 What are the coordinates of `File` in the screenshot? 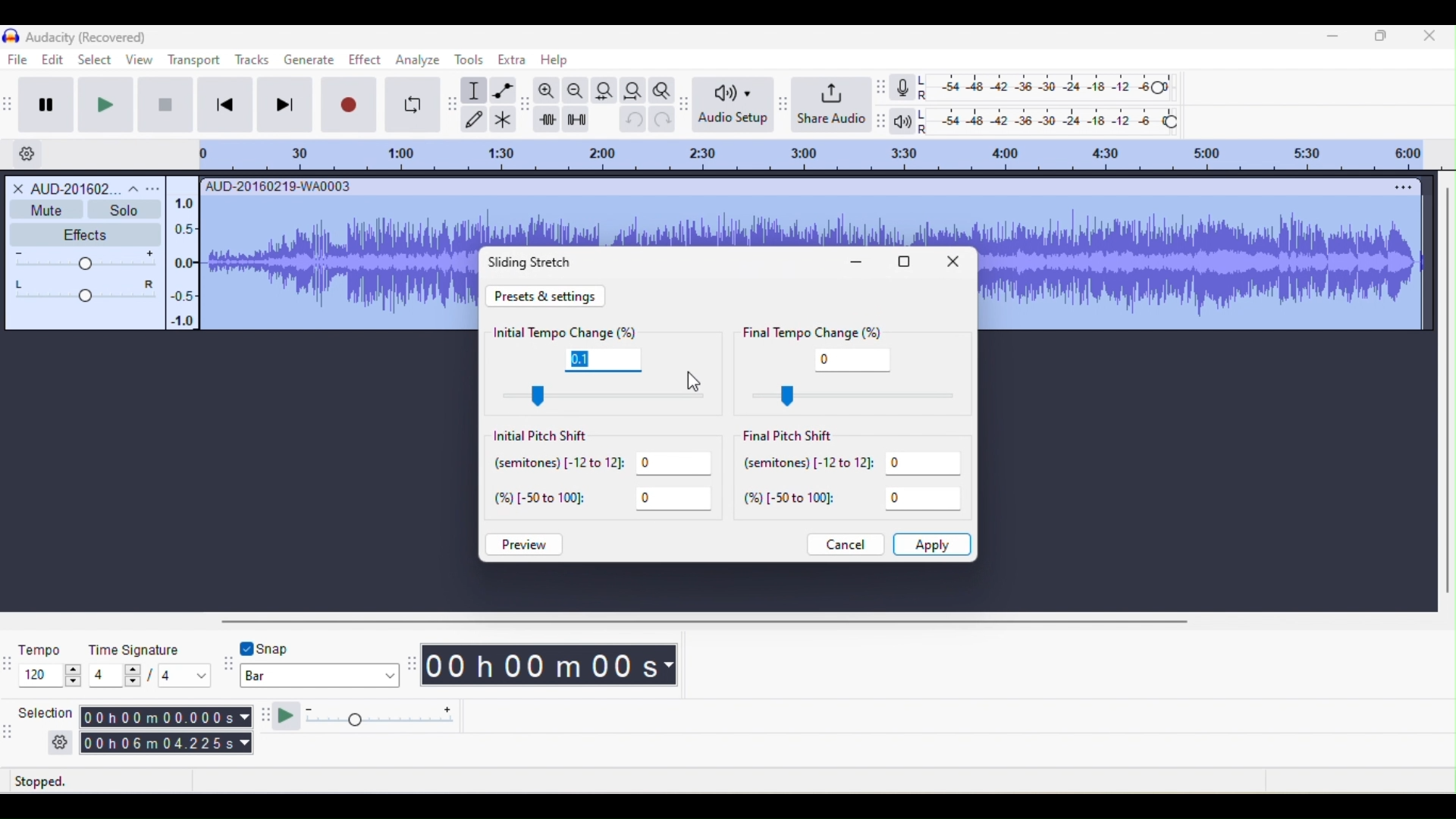 It's located at (19, 59).